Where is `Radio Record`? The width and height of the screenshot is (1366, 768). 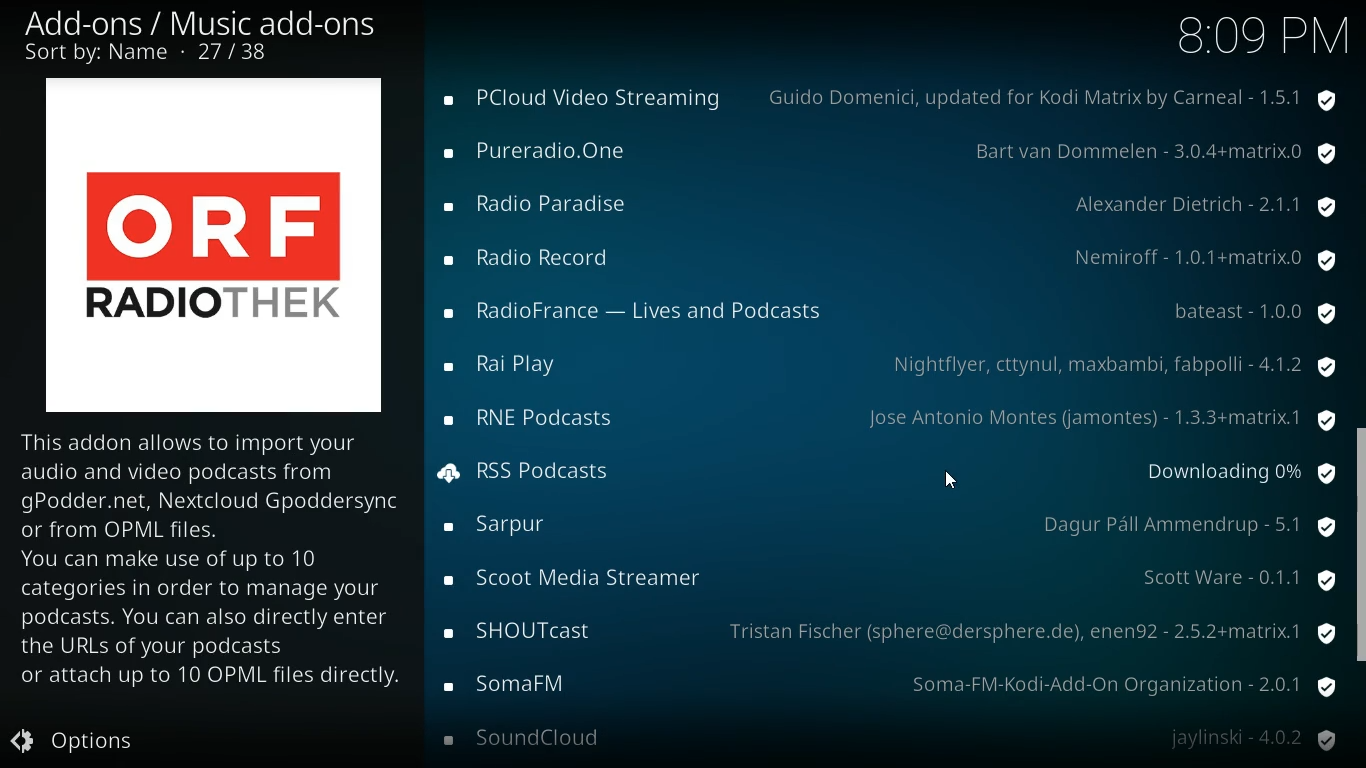 Radio Record is located at coordinates (536, 256).